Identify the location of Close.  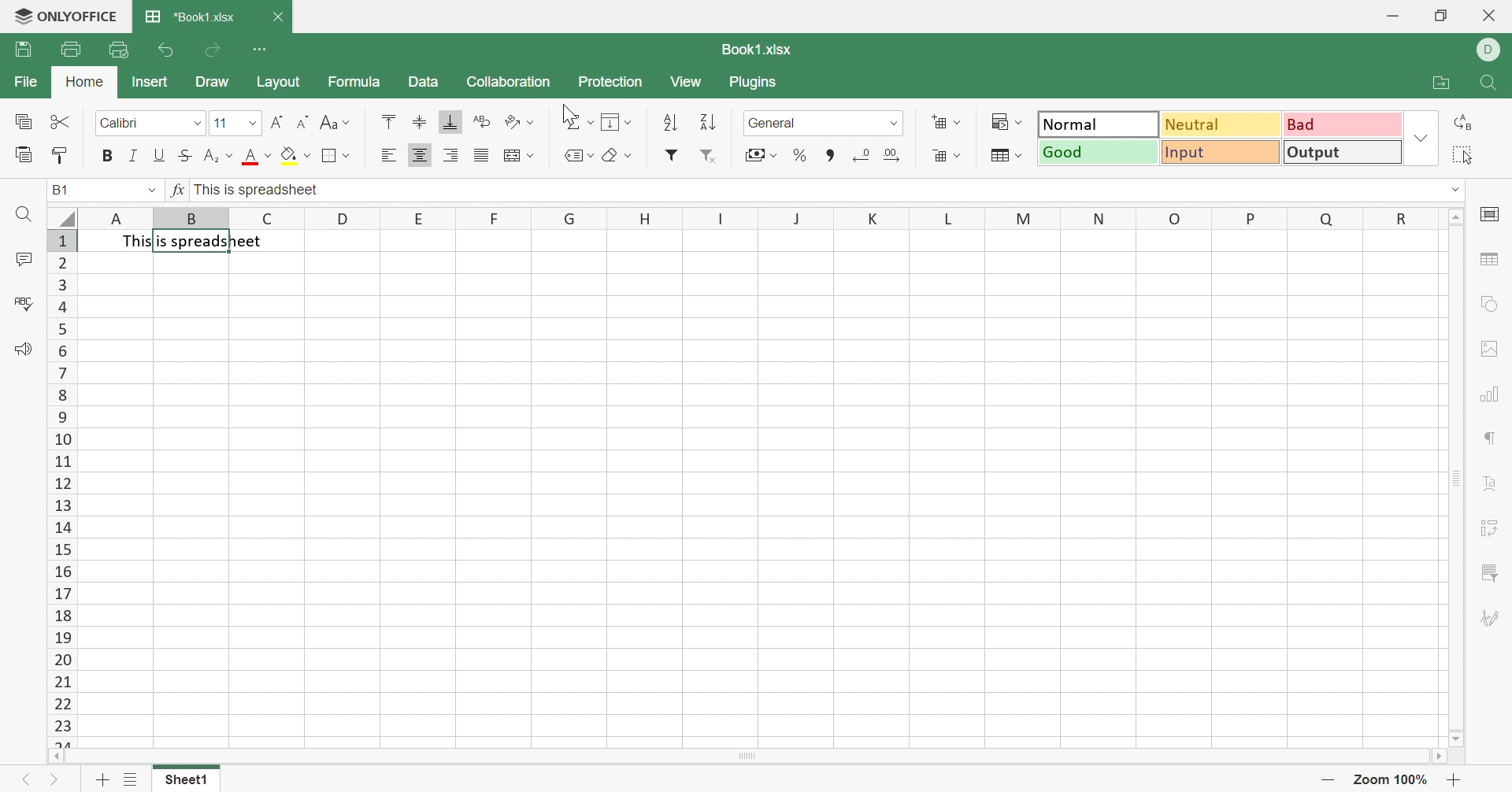
(280, 17).